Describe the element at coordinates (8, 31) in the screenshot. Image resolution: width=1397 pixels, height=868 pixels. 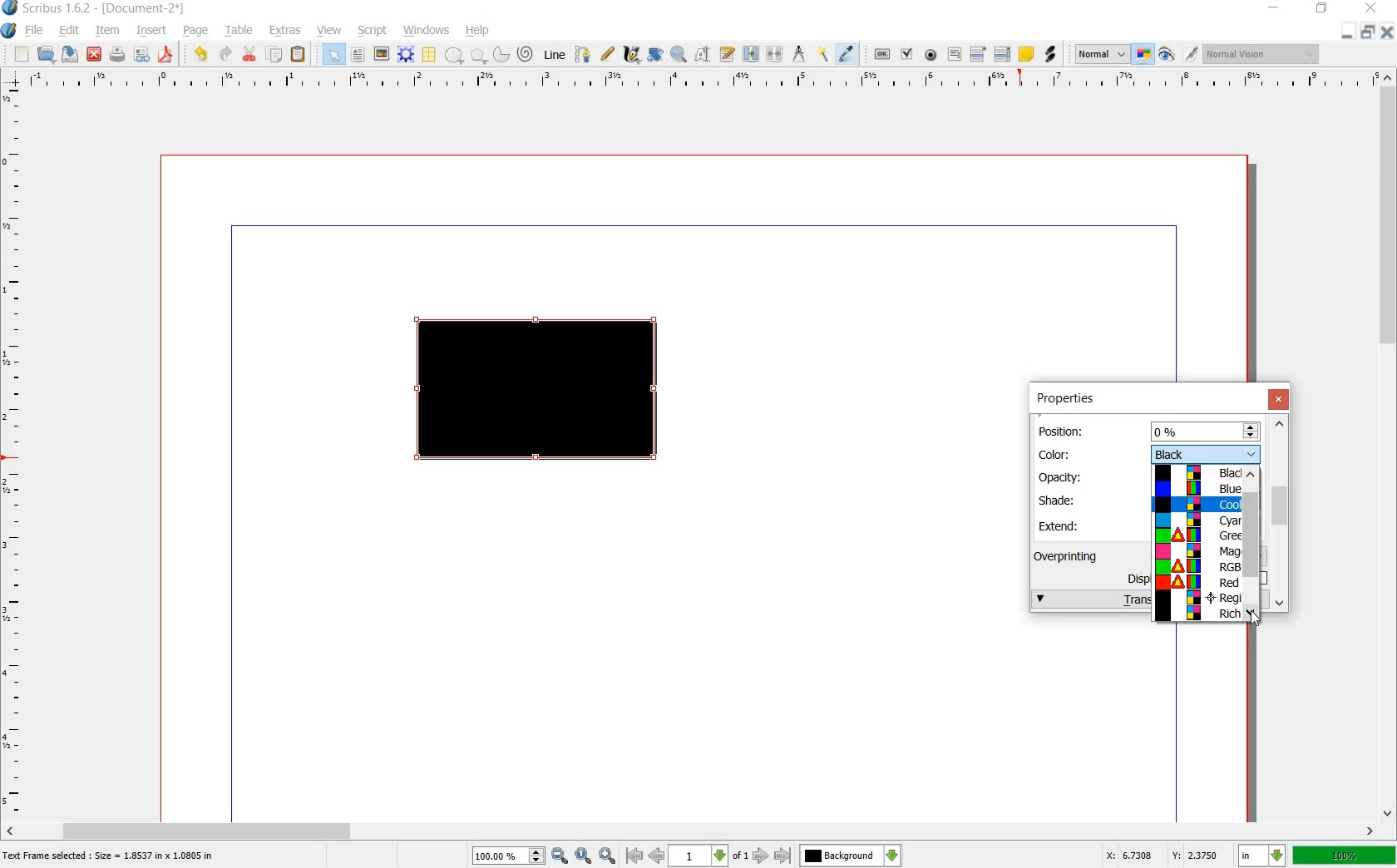
I see `system logo` at that location.